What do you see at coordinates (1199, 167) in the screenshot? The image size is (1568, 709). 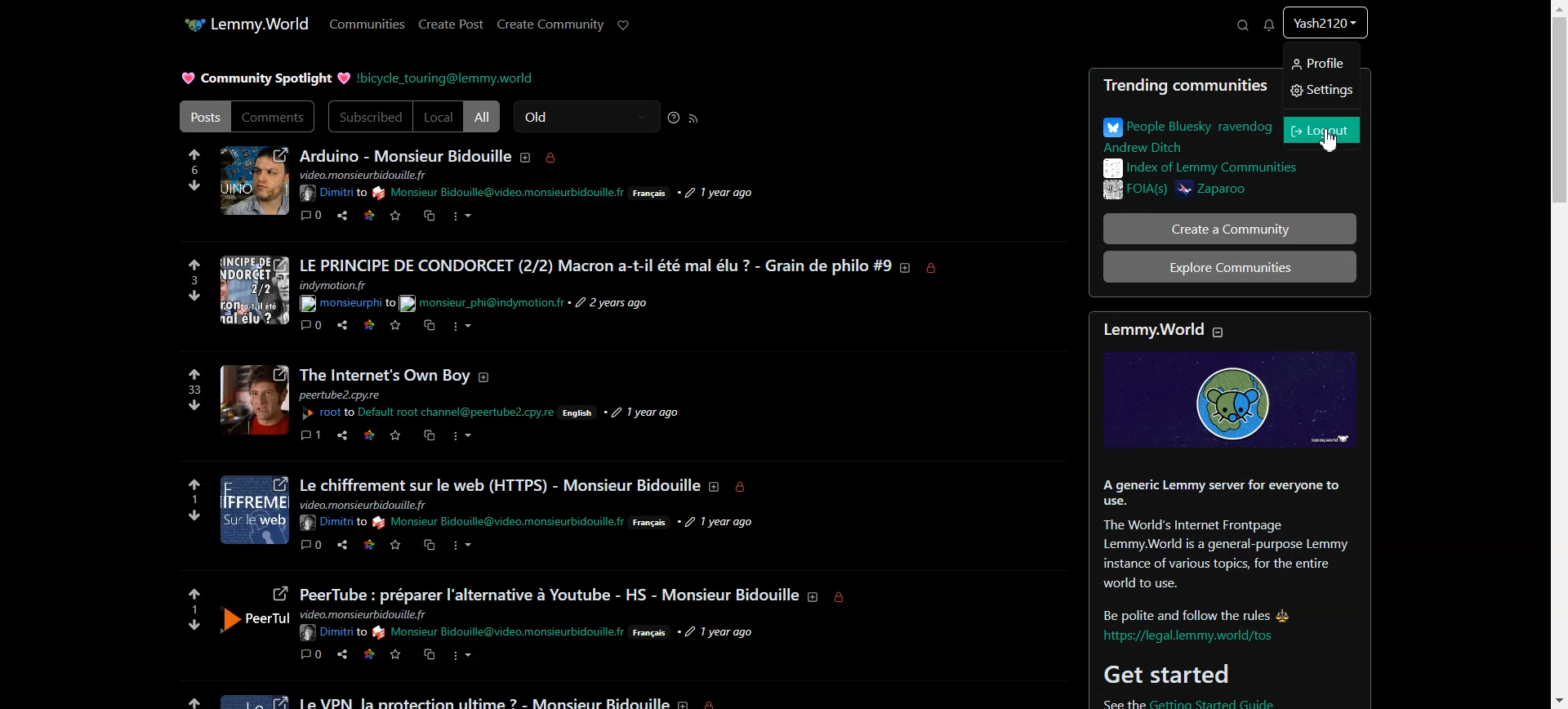 I see `Index of Lemmy communities` at bounding box center [1199, 167].